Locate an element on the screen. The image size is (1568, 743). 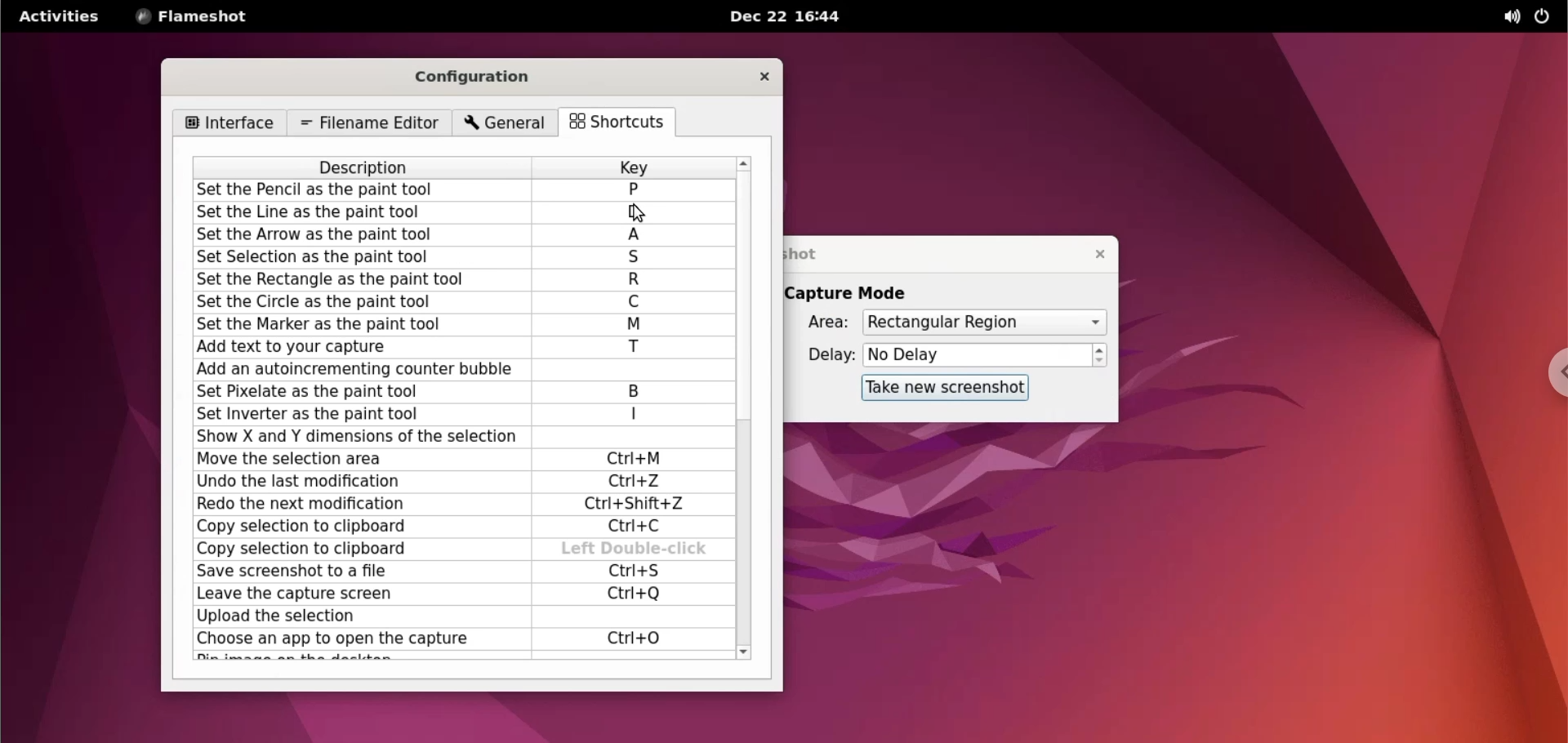
flameshot options is located at coordinates (194, 16).